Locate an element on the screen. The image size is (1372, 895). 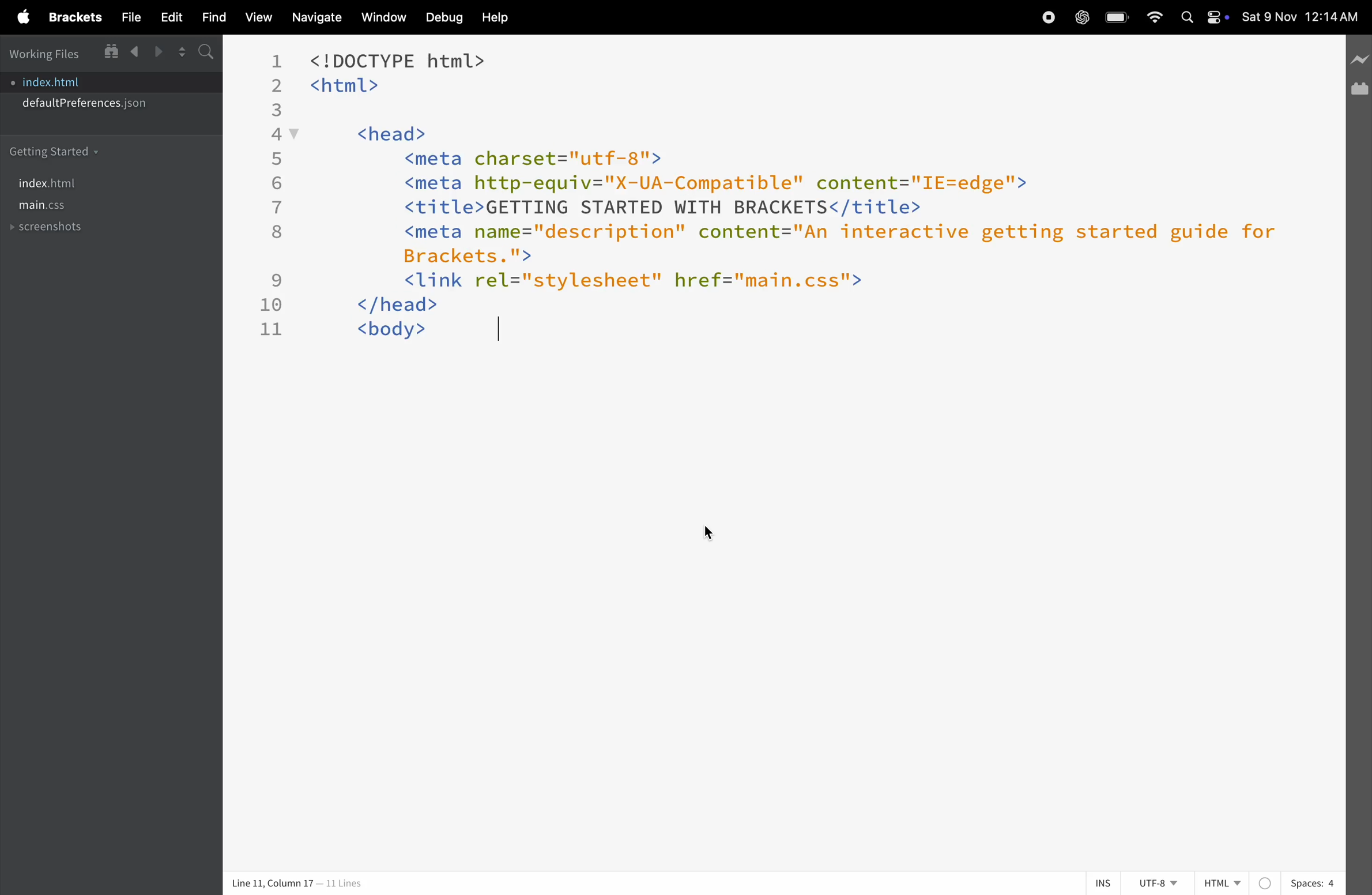
spaces 4 is located at coordinates (1313, 882).